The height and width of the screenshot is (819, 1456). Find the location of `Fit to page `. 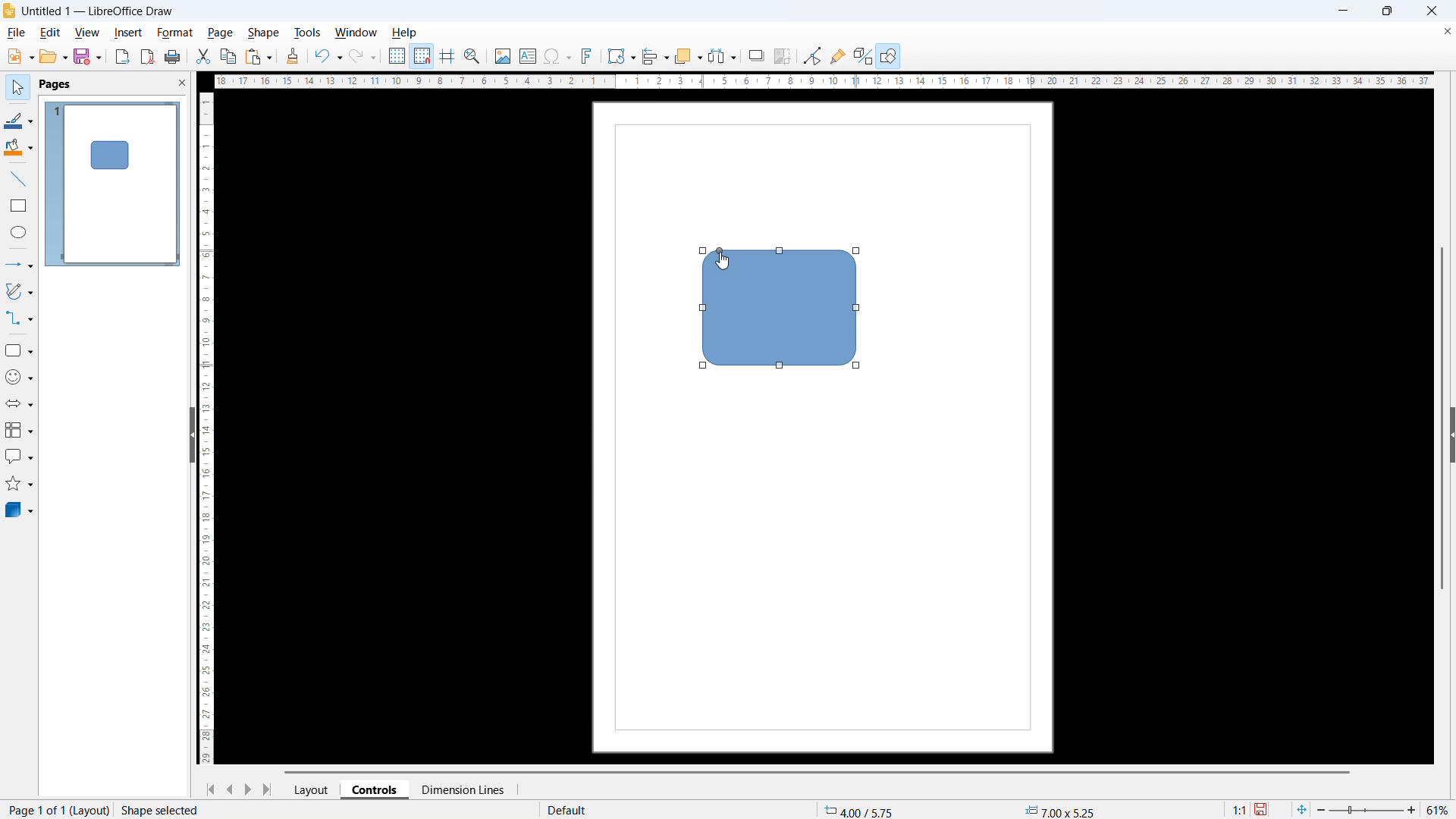

Fit to page  is located at coordinates (1303, 808).